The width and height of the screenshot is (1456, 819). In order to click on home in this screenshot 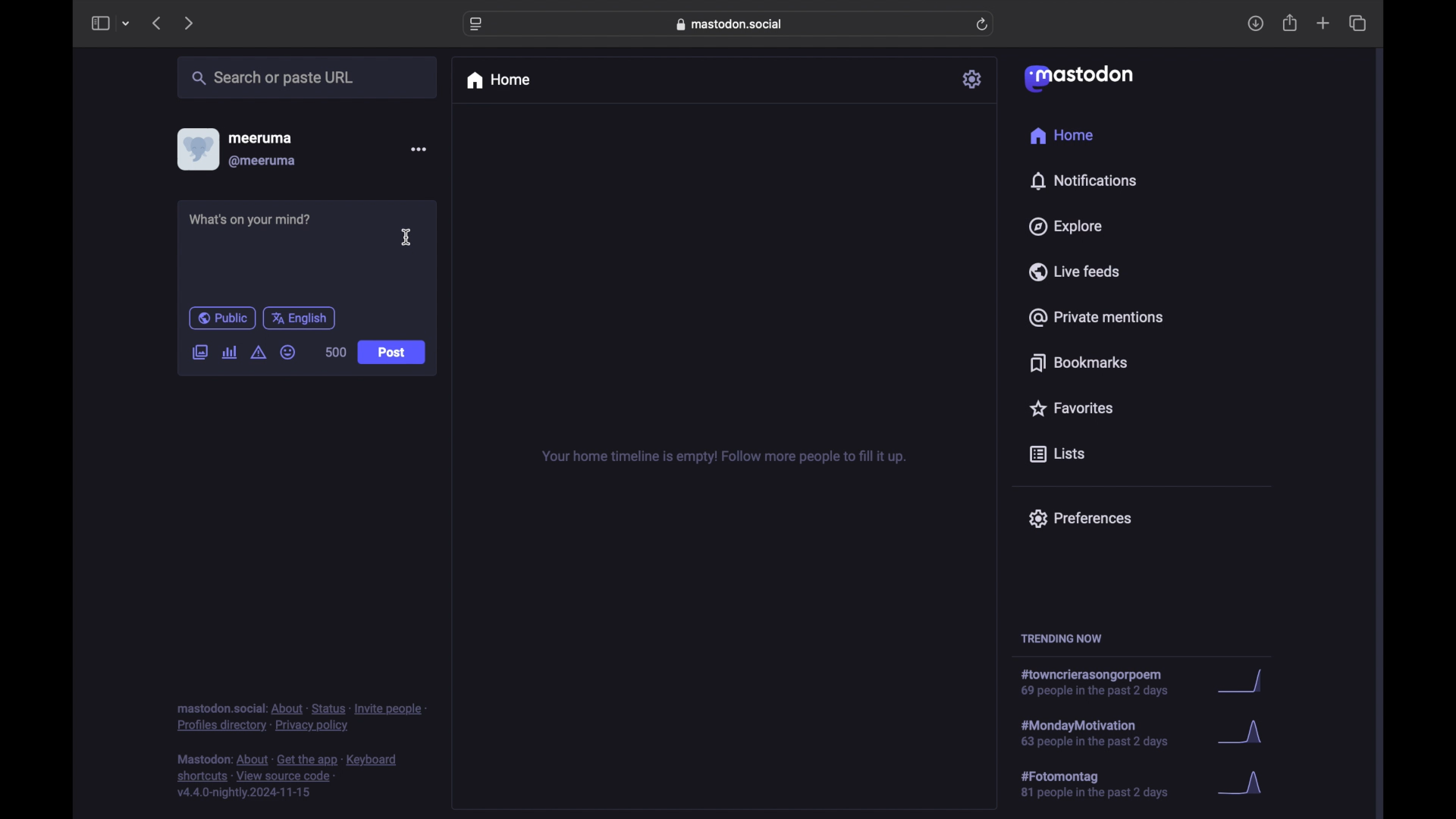, I will do `click(1061, 136)`.